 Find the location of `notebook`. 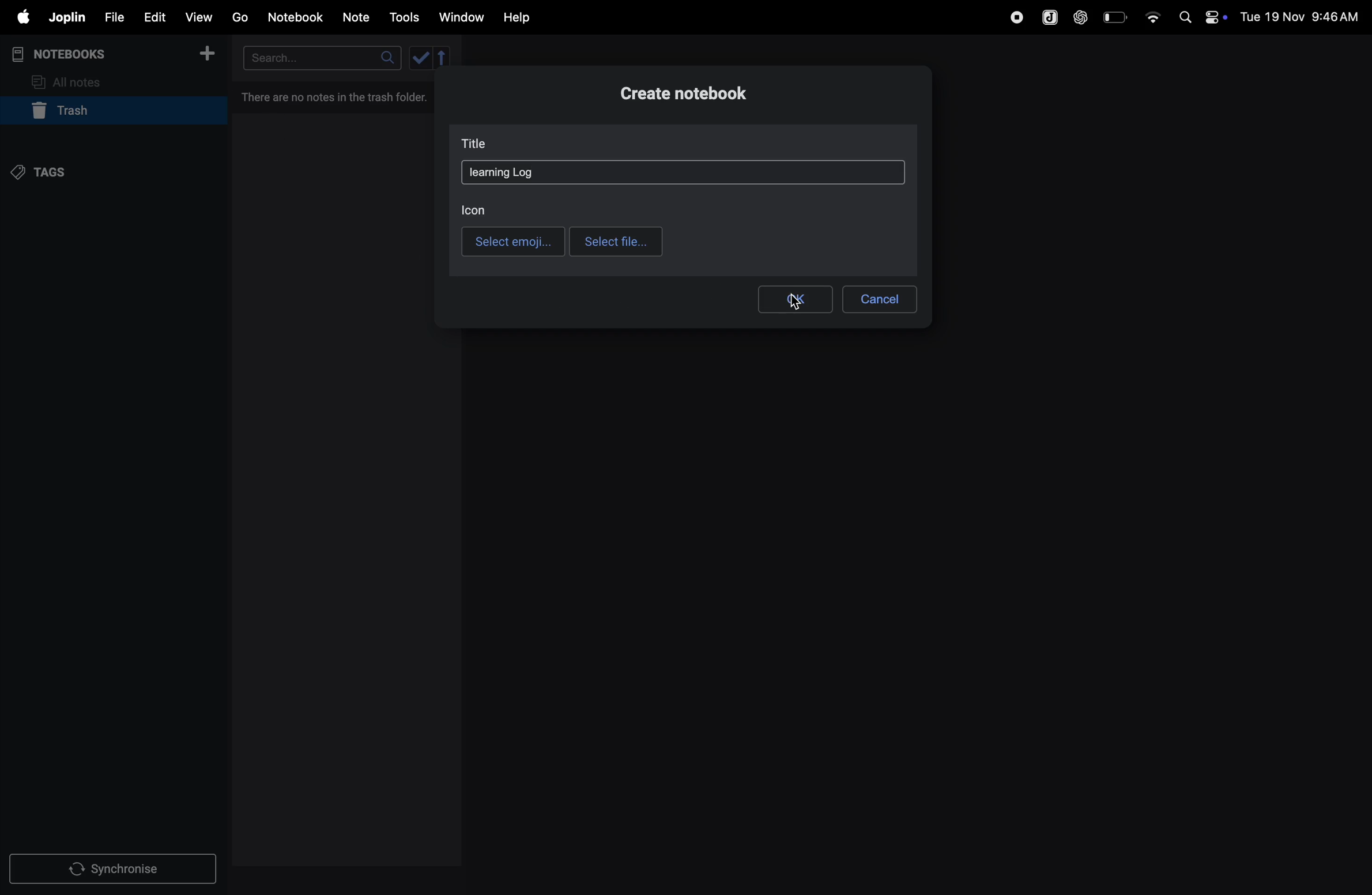

notebook is located at coordinates (297, 16).